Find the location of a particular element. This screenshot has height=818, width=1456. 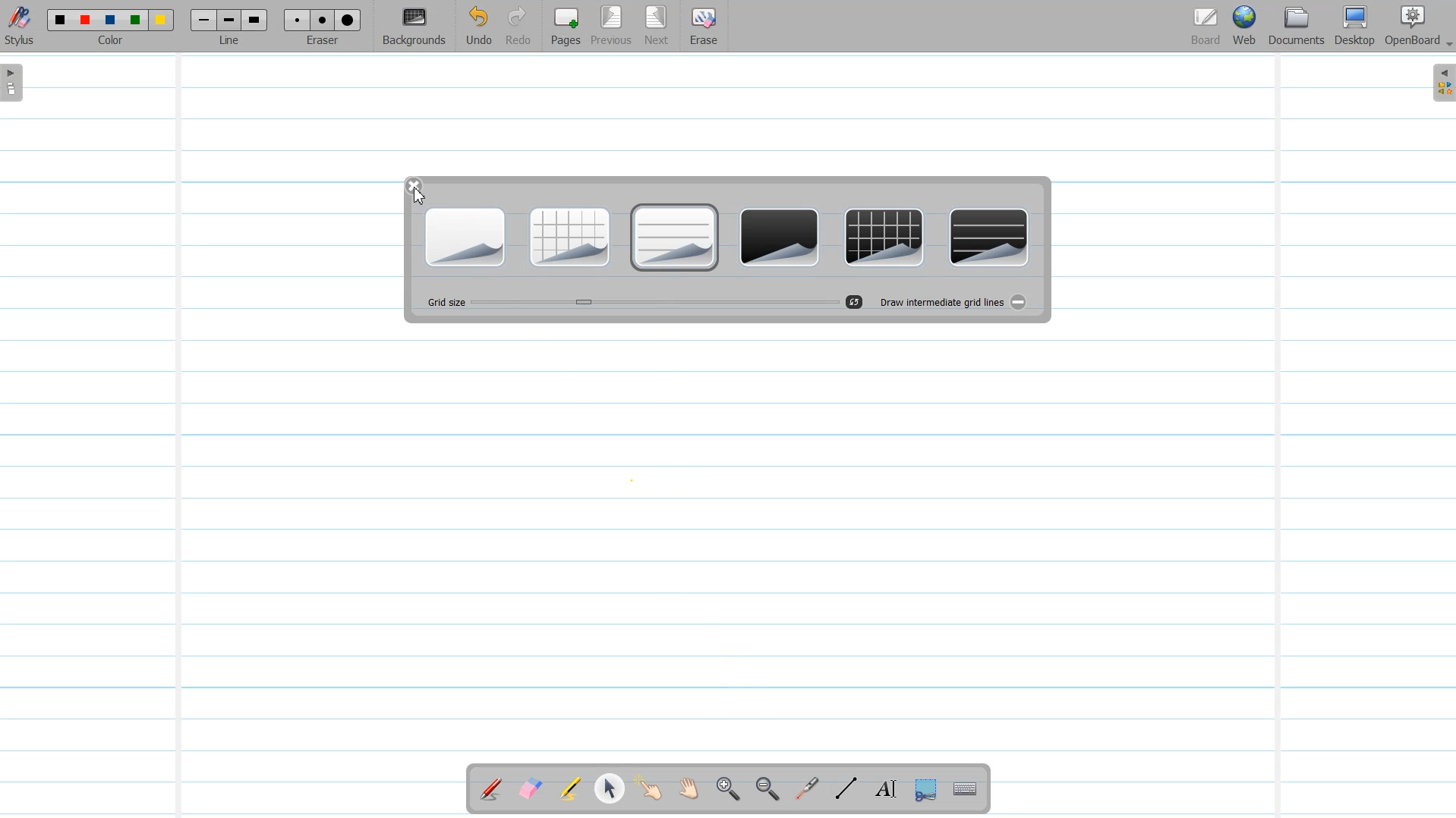

Redo is located at coordinates (518, 27).